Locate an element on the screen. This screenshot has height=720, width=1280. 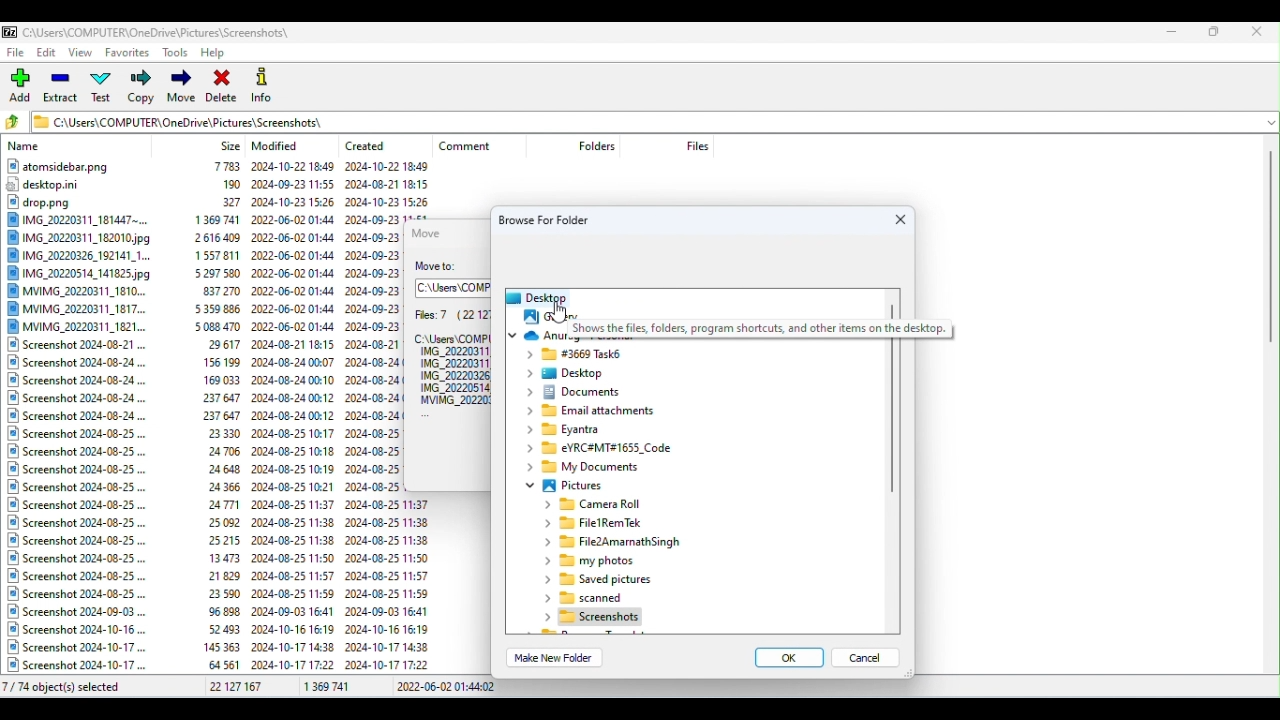
Status bar is located at coordinates (642, 688).